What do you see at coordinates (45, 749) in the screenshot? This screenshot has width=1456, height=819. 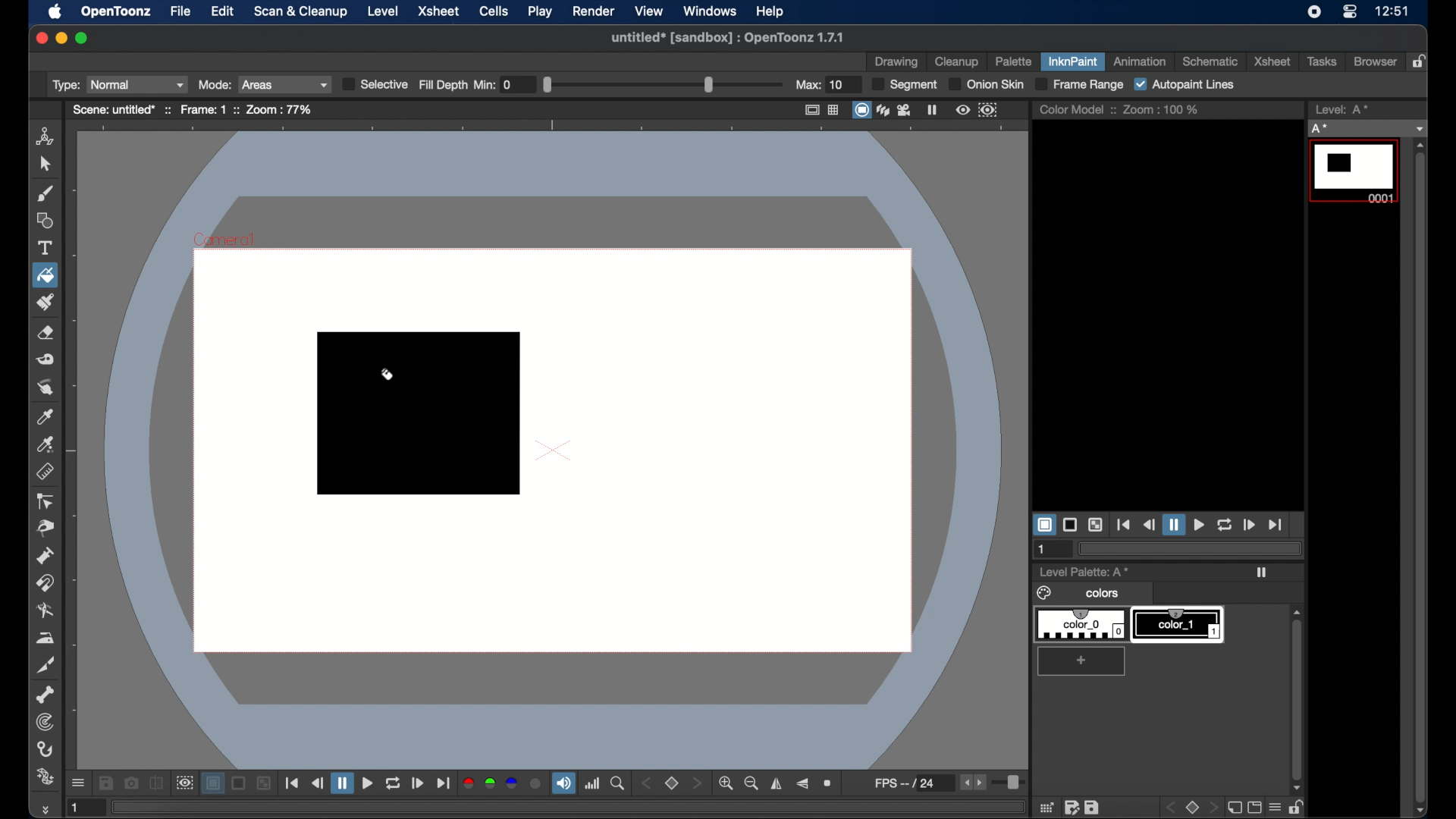 I see `hook tool` at bounding box center [45, 749].